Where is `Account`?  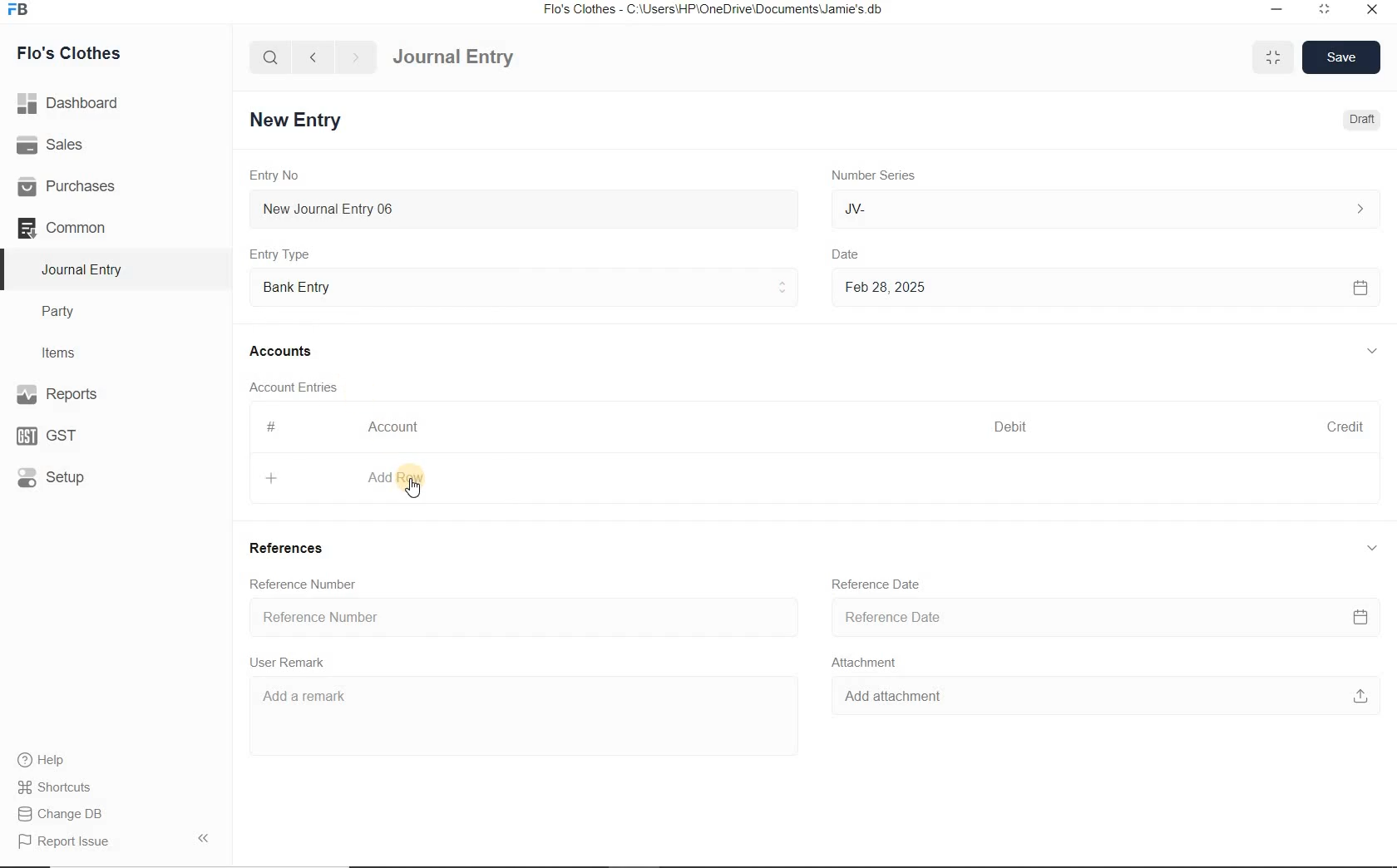 Account is located at coordinates (398, 427).